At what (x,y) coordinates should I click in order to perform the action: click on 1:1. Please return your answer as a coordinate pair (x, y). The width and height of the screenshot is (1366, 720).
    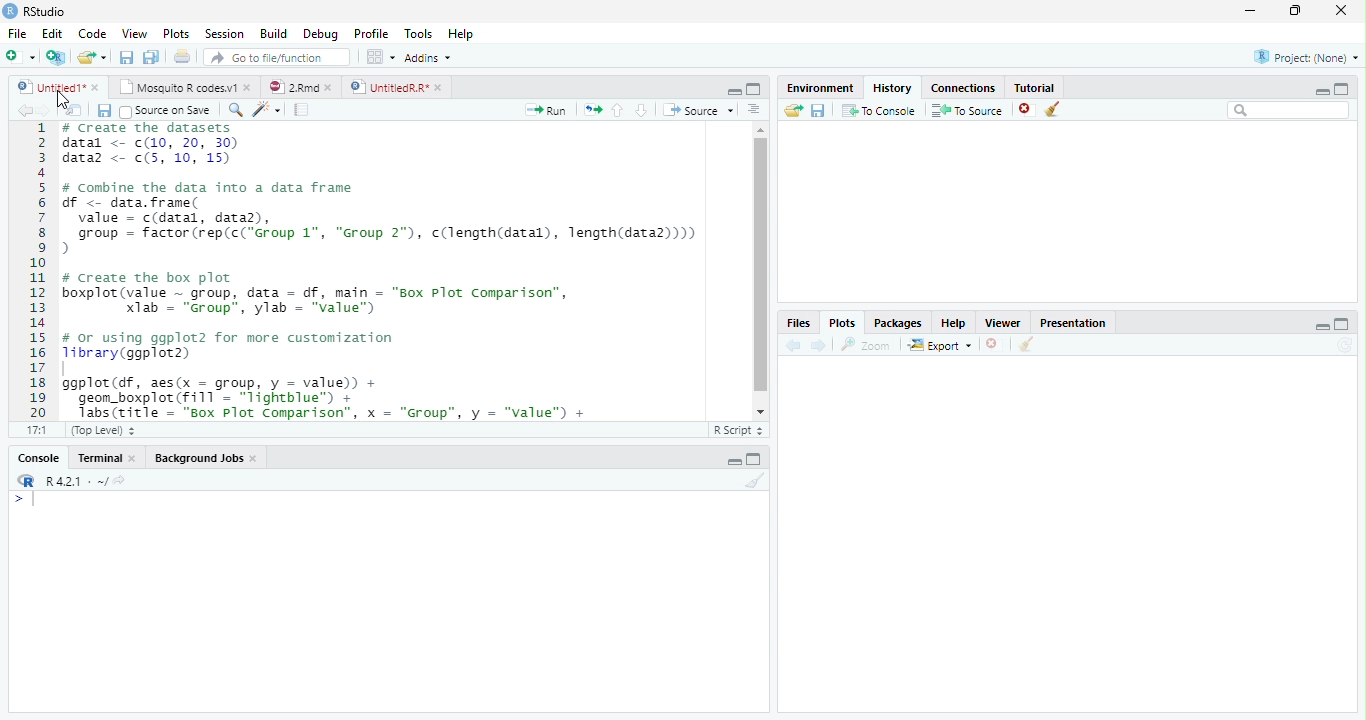
    Looking at the image, I should click on (35, 430).